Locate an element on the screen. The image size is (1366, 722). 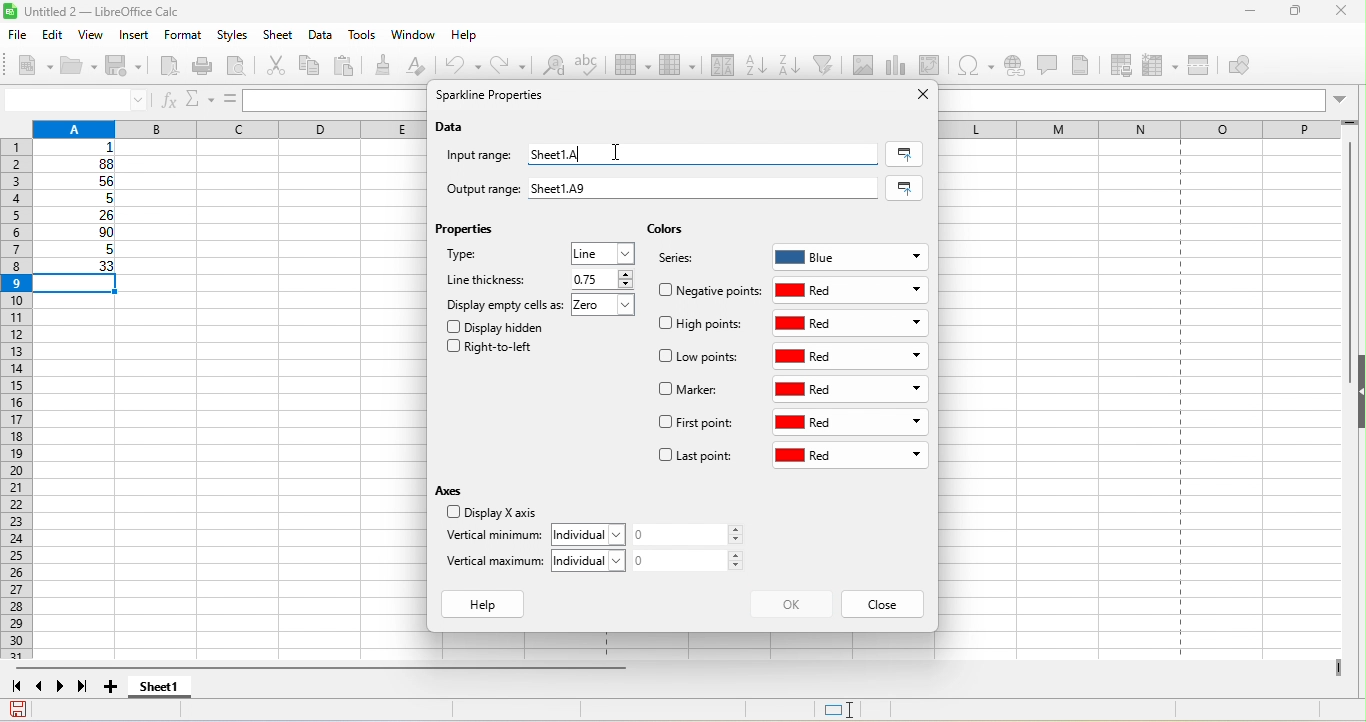
88 is located at coordinates (77, 164).